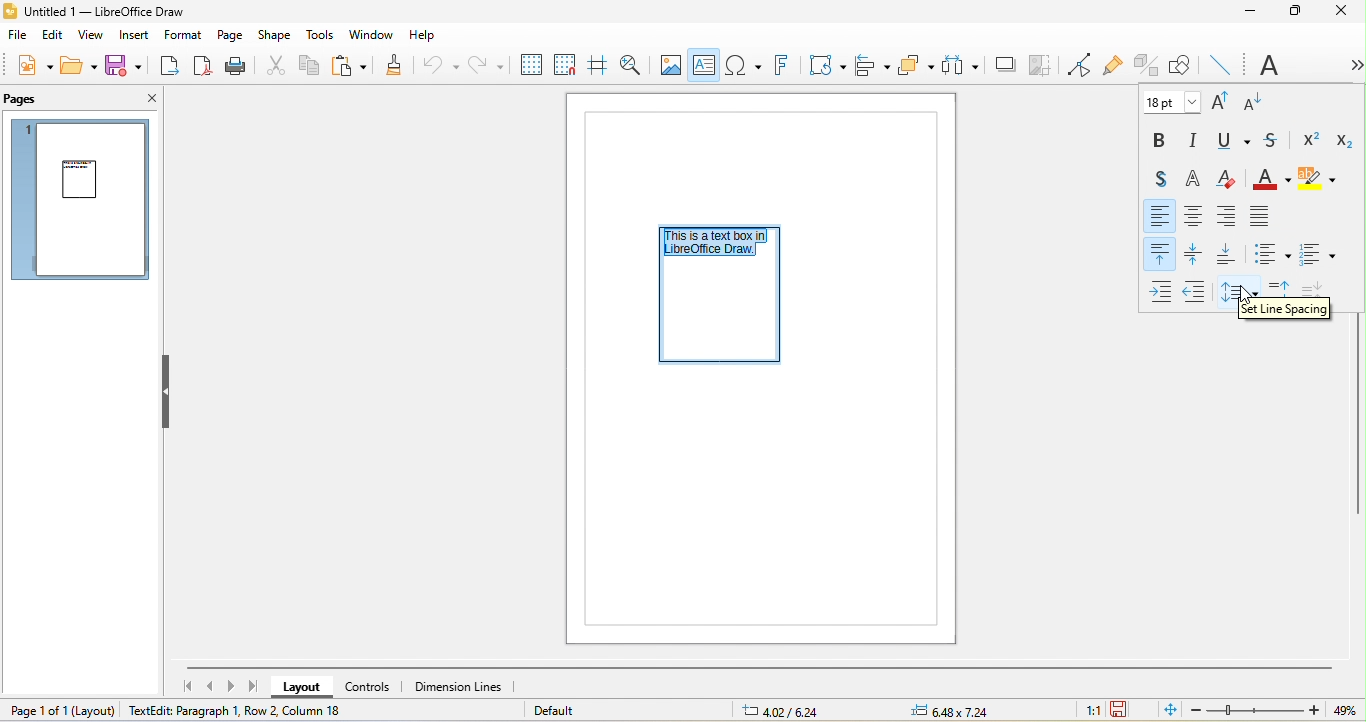 This screenshot has width=1366, height=722. What do you see at coordinates (371, 36) in the screenshot?
I see `window` at bounding box center [371, 36].